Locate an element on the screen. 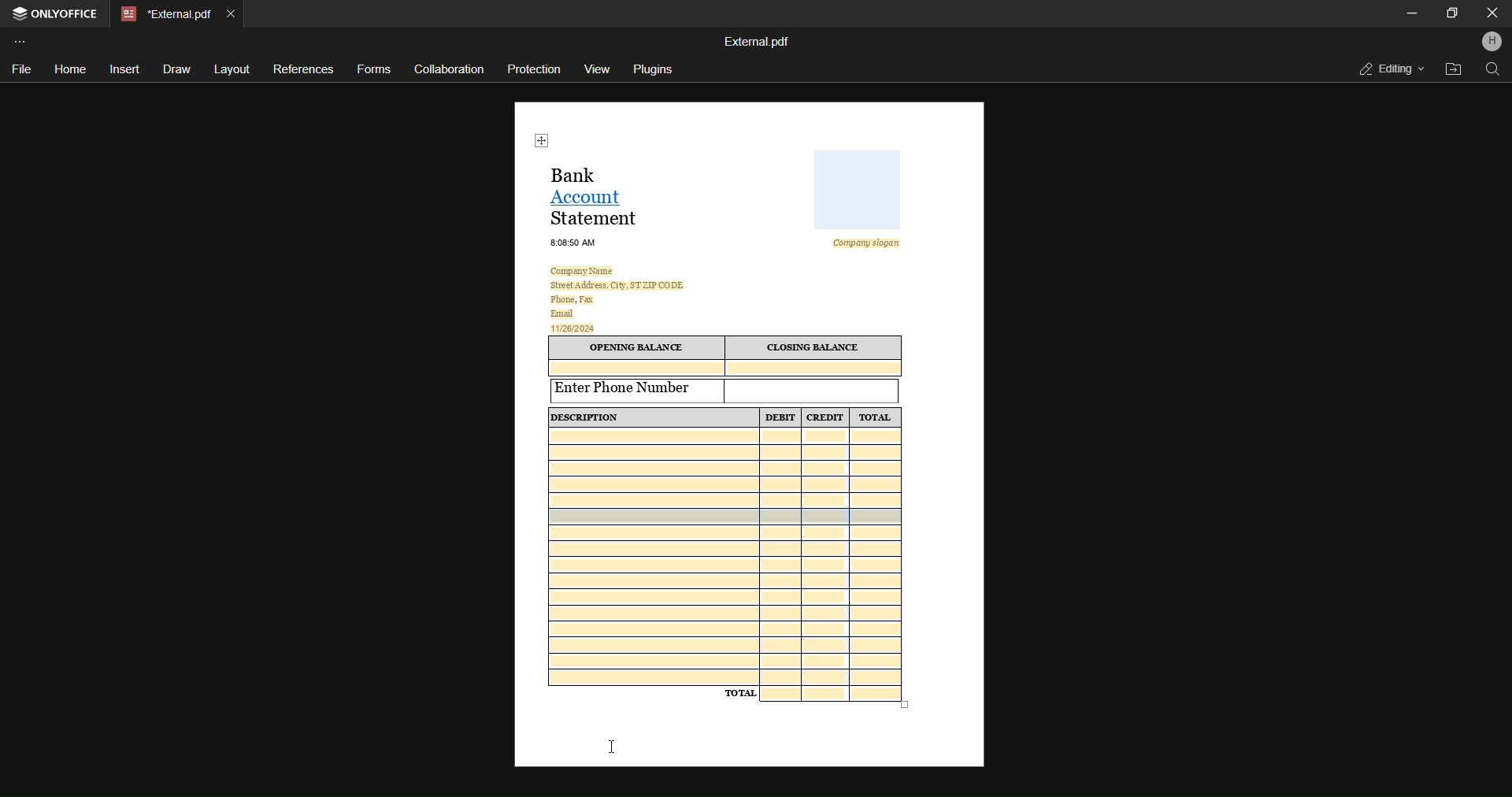 The image size is (1512, 797). TOTAL is located at coordinates (876, 417).